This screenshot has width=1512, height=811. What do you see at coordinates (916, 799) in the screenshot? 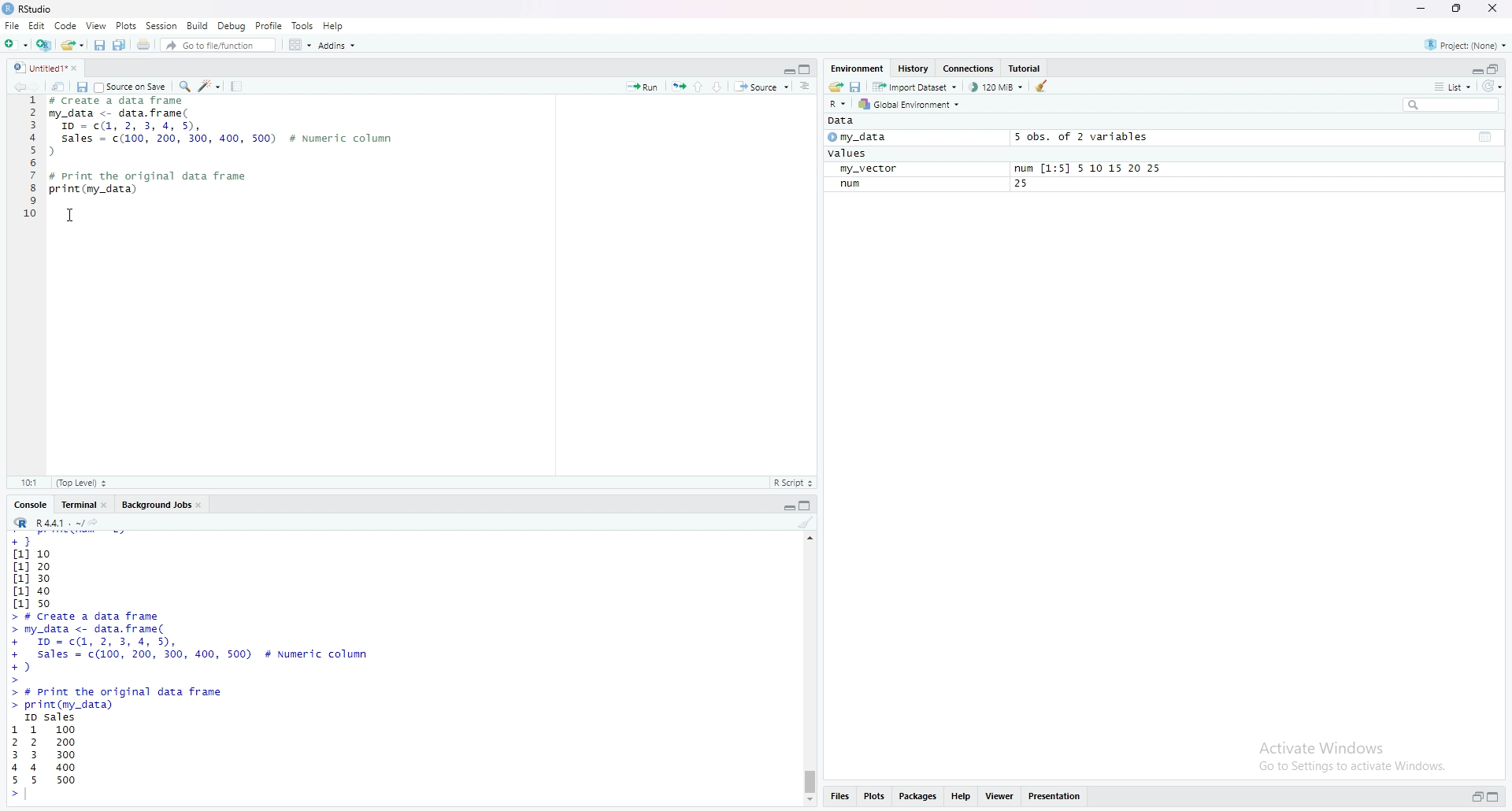
I see `packages` at bounding box center [916, 799].